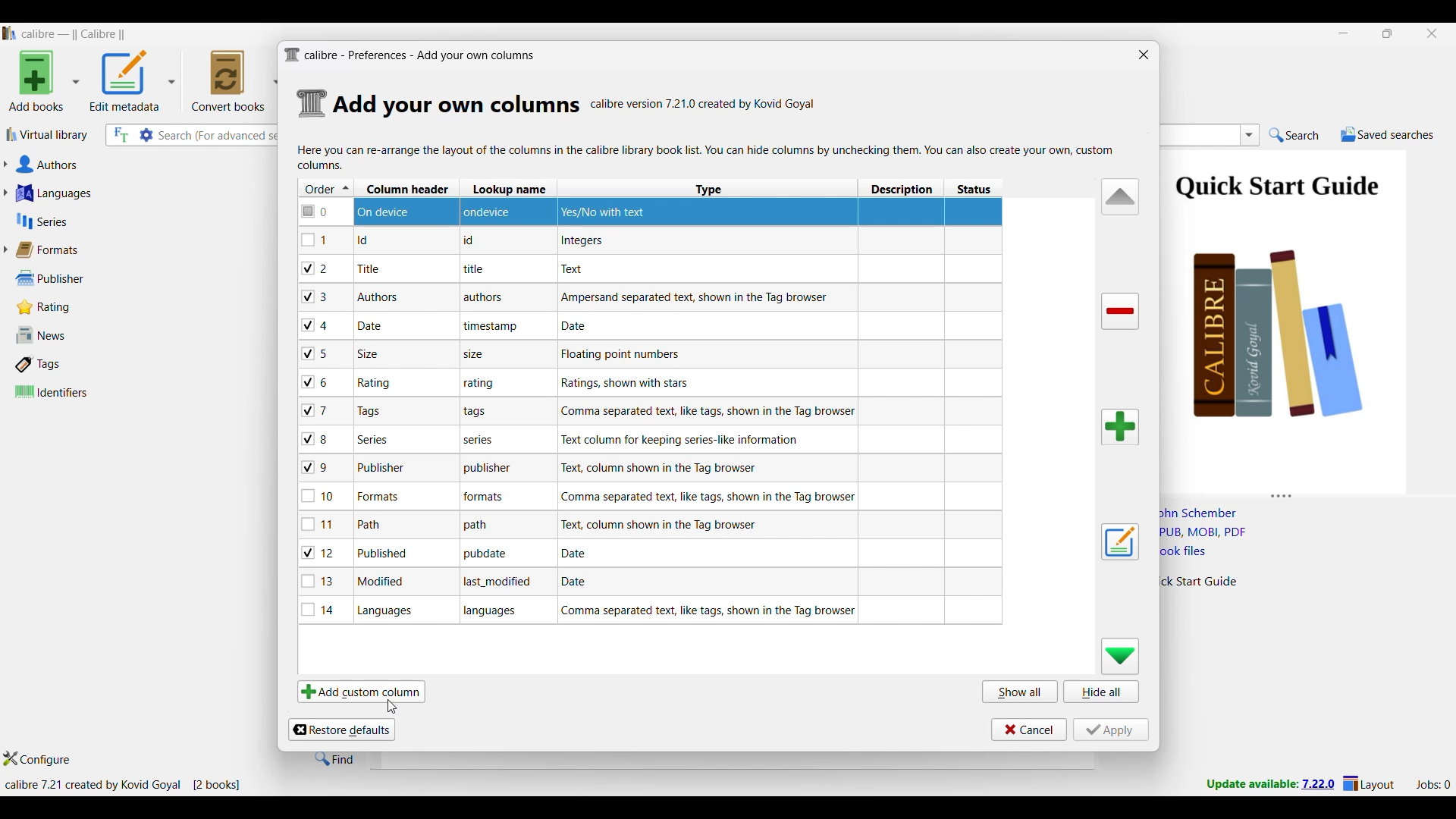 This screenshot has width=1456, height=819. I want to click on checkbox - 1, so click(316, 240).